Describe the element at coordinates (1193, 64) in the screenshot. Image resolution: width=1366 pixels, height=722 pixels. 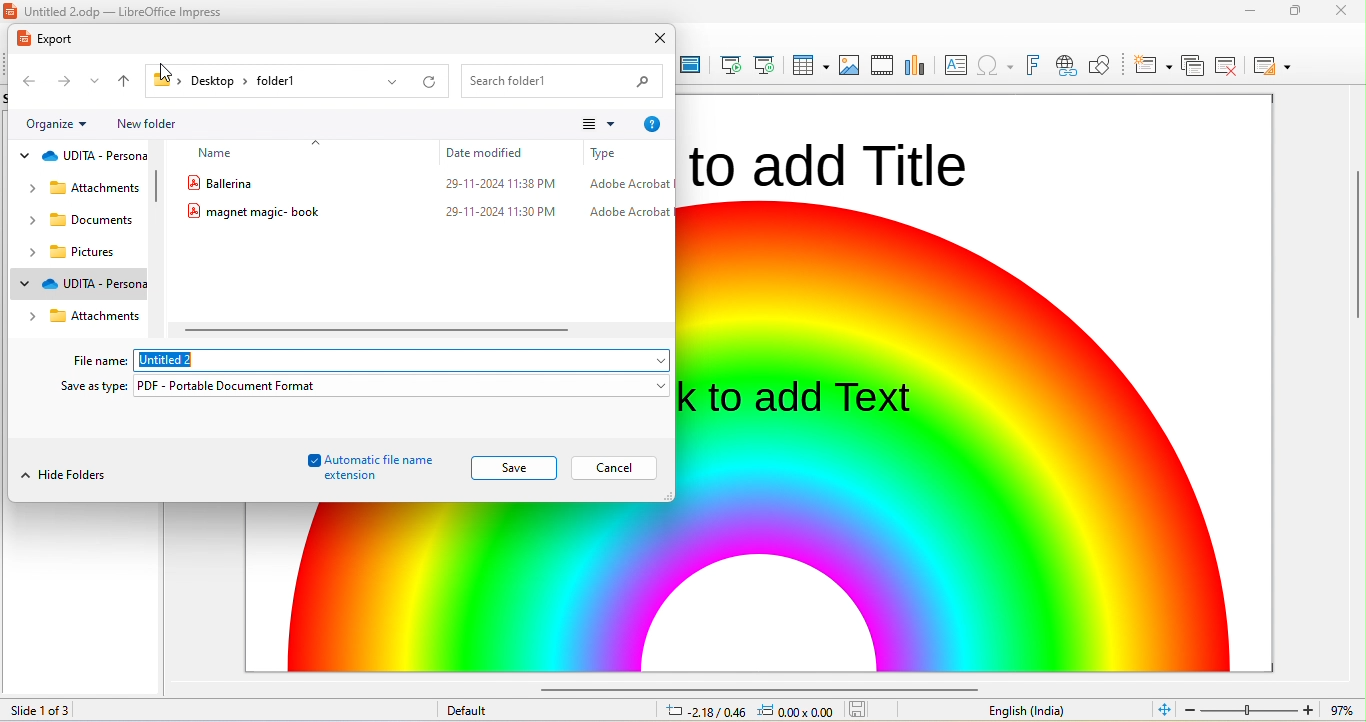
I see `duplicate slide` at that location.